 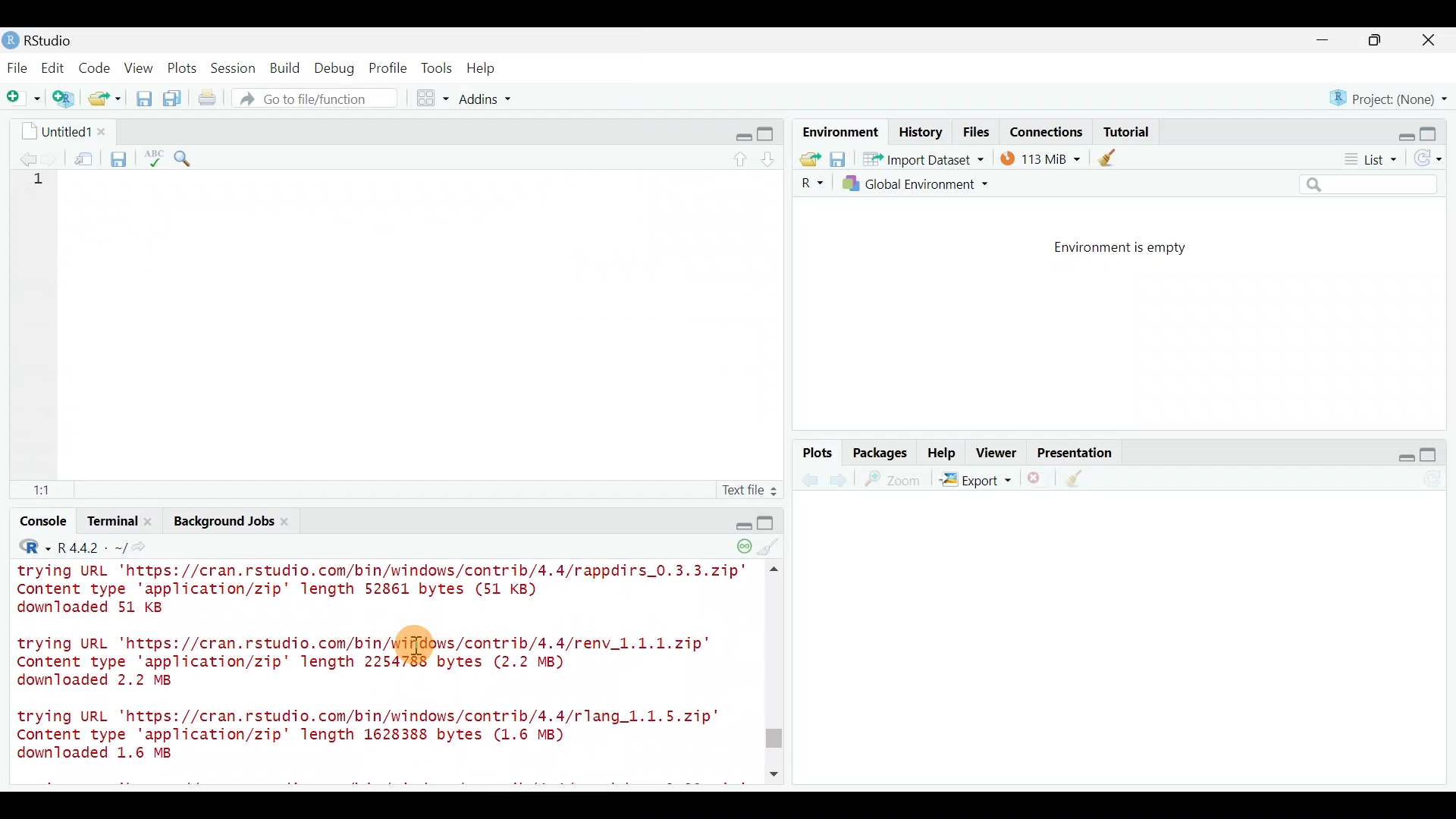 I want to click on 1:1, so click(x=45, y=489).